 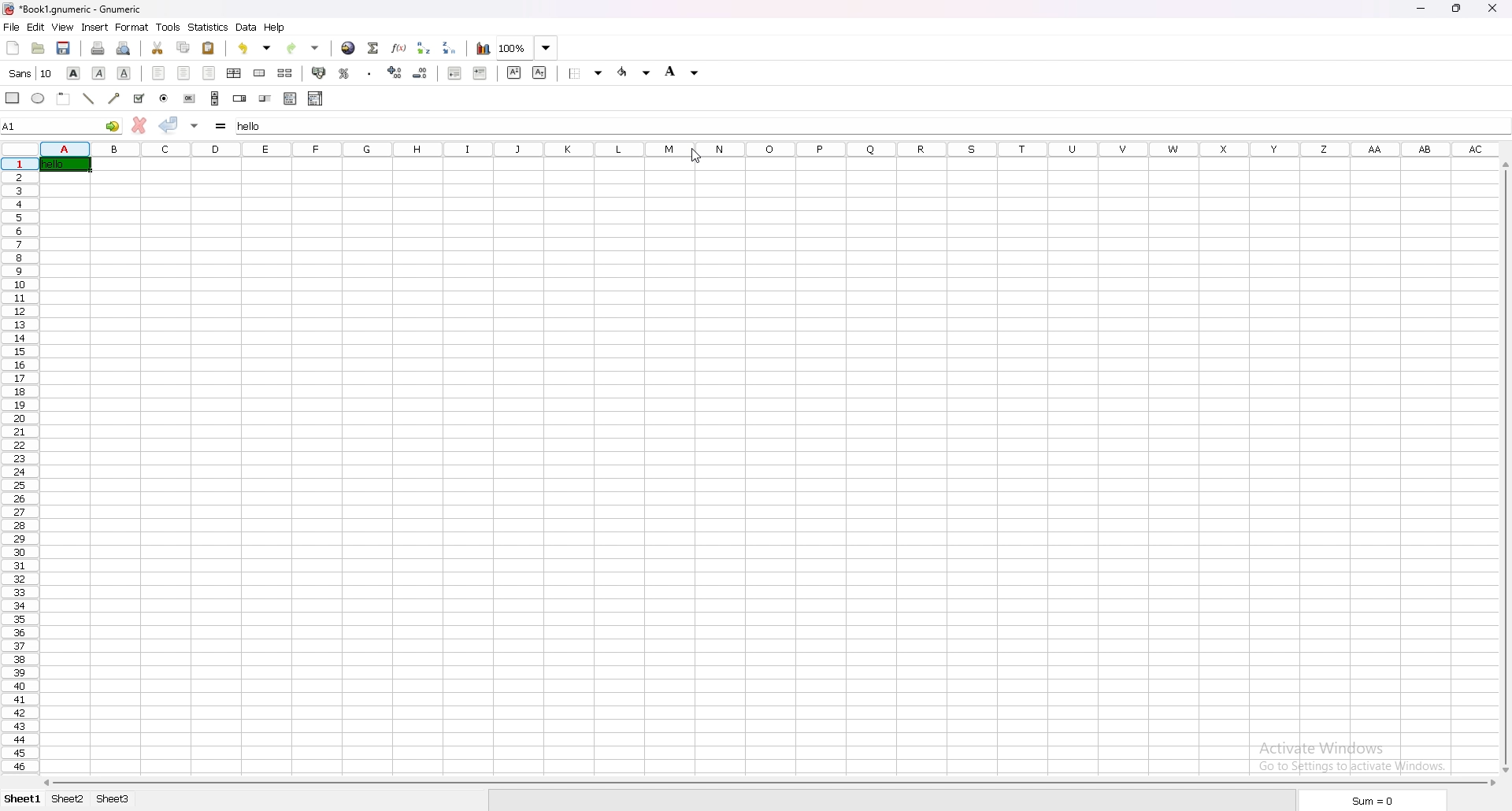 What do you see at coordinates (286, 72) in the screenshot?
I see `split merged cells` at bounding box center [286, 72].